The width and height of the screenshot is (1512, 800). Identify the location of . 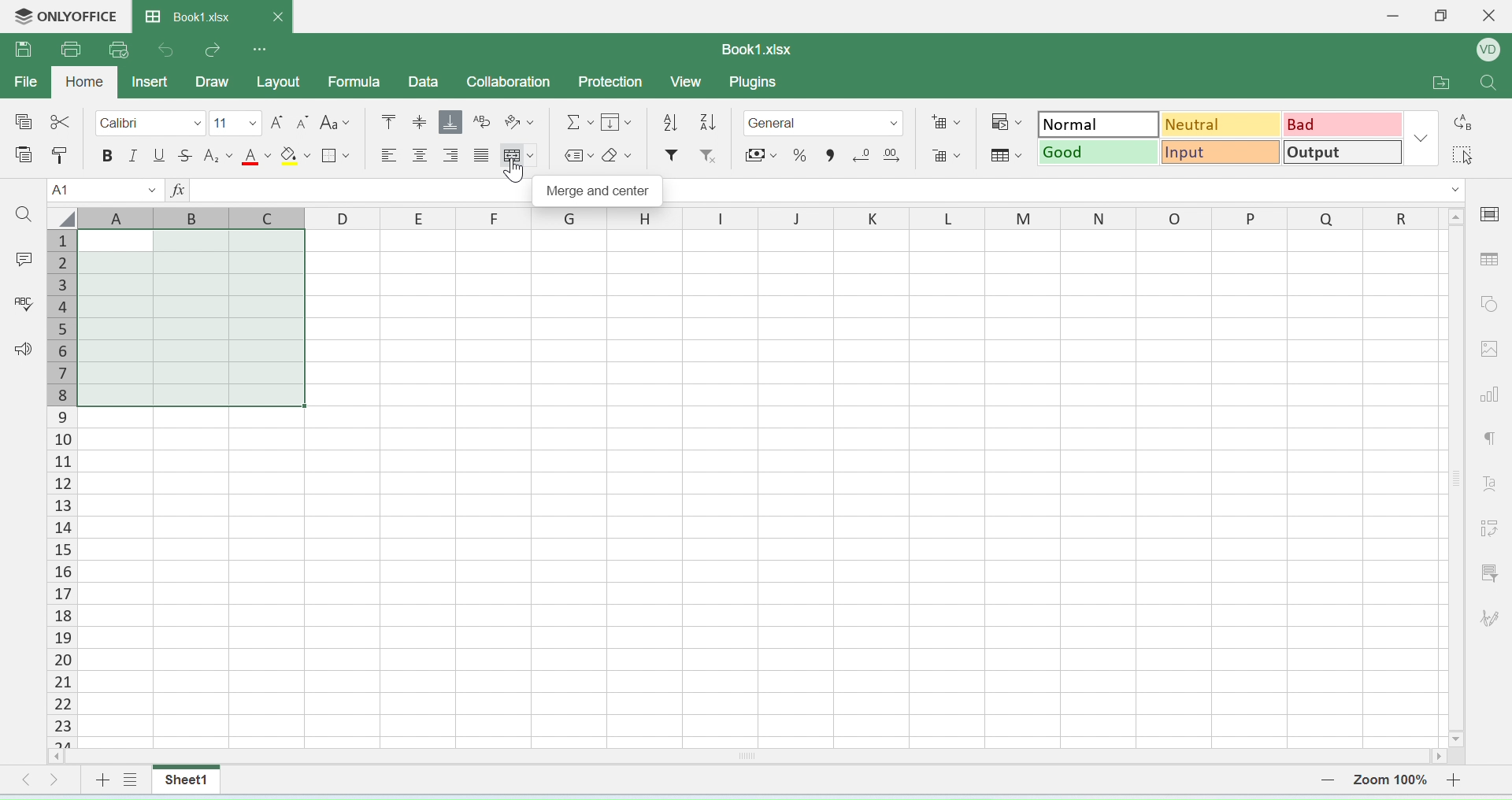
(306, 121).